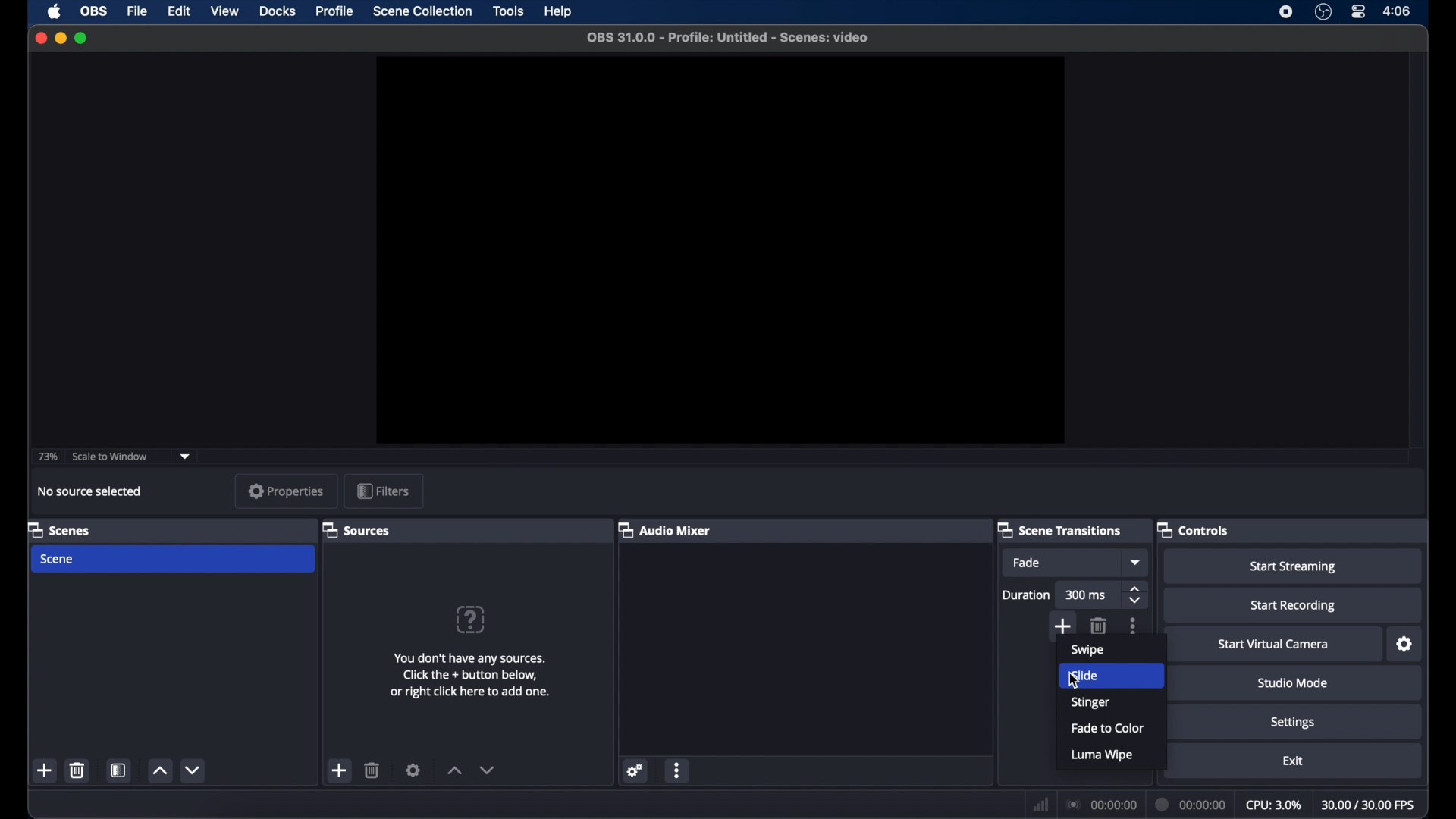  Describe the element at coordinates (636, 770) in the screenshot. I see `settings` at that location.